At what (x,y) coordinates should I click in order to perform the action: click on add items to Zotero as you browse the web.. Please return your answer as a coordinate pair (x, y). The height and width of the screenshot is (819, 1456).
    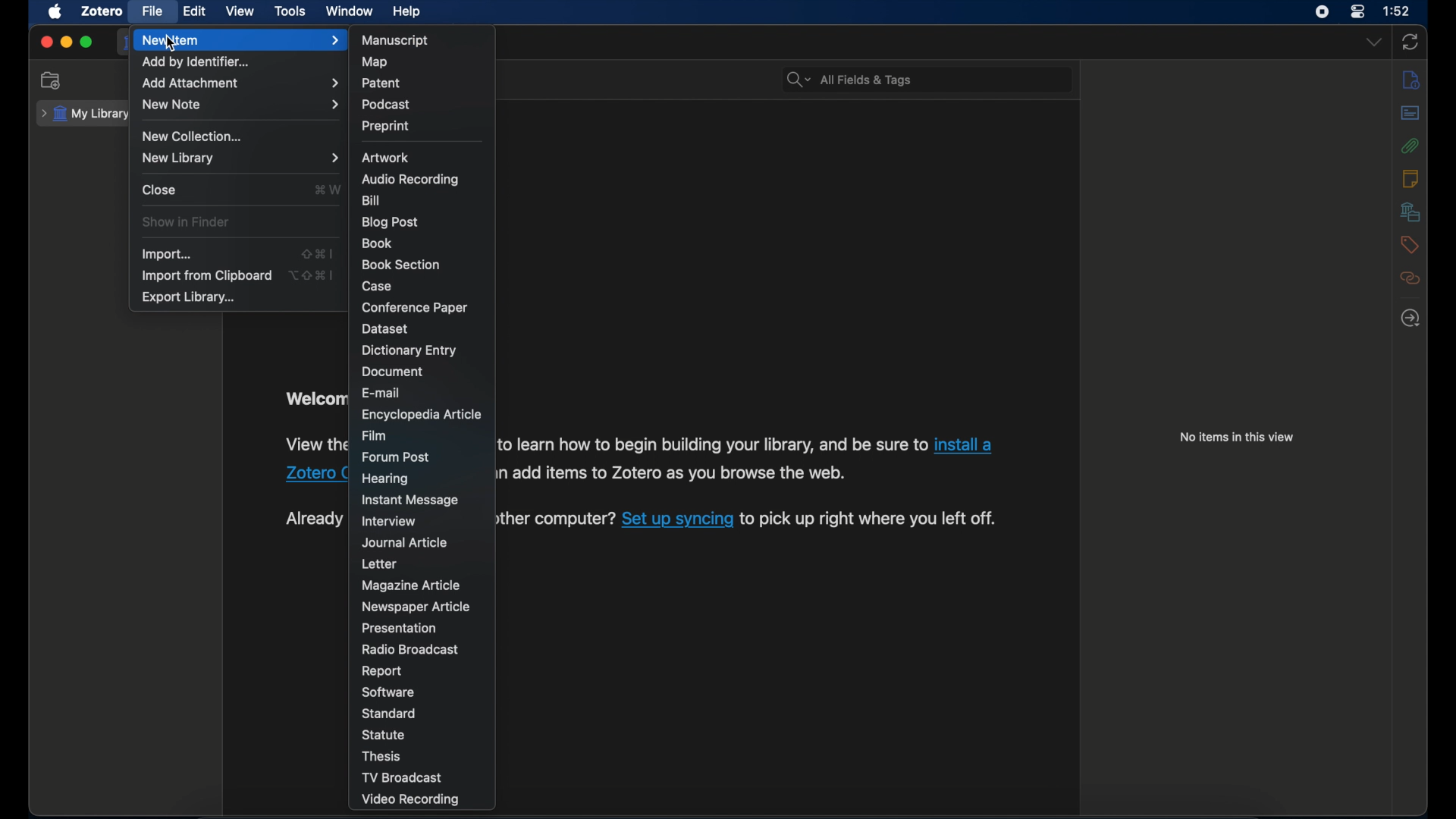
    Looking at the image, I should click on (677, 473).